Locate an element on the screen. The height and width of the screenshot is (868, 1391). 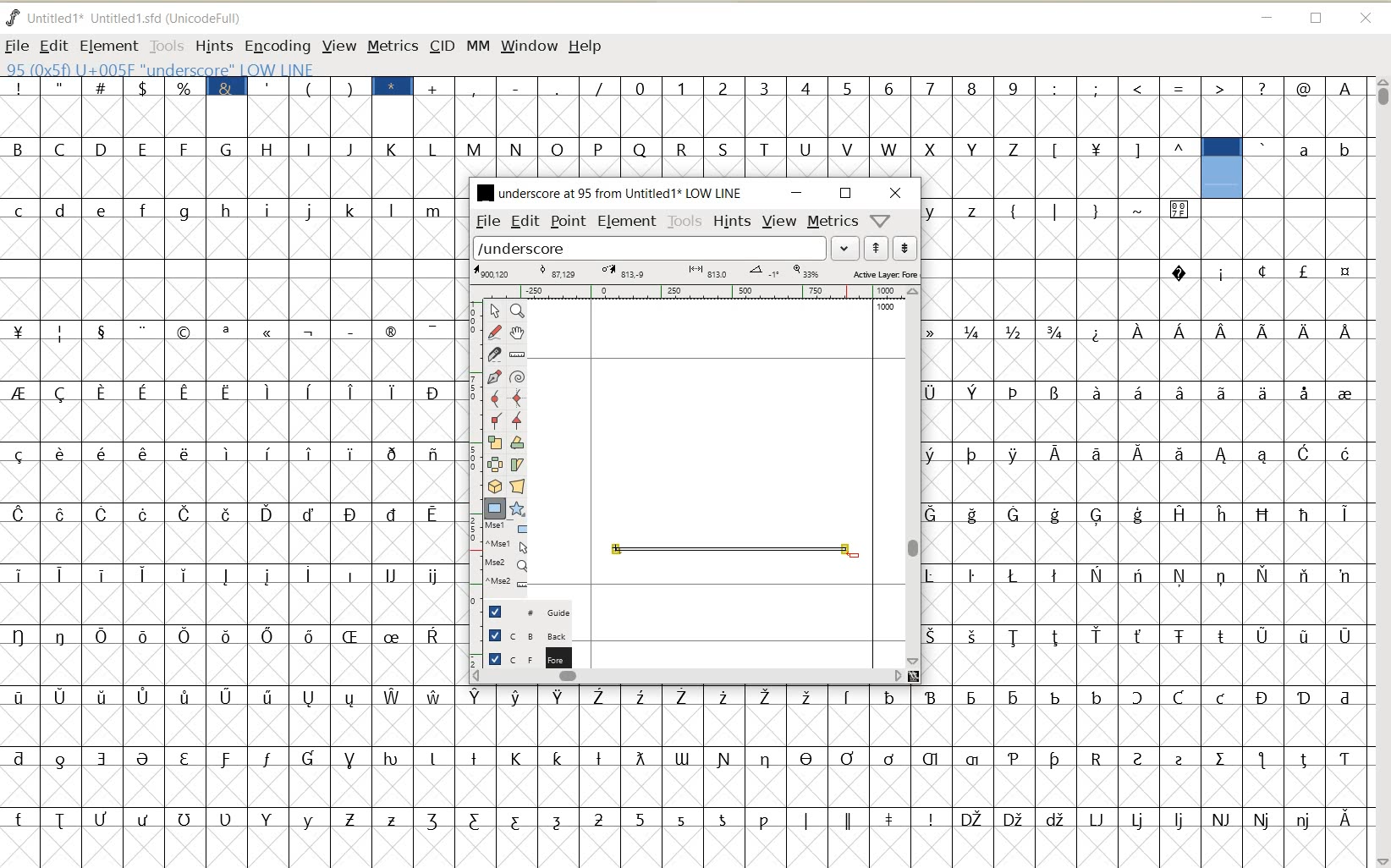
help/window is located at coordinates (879, 221).